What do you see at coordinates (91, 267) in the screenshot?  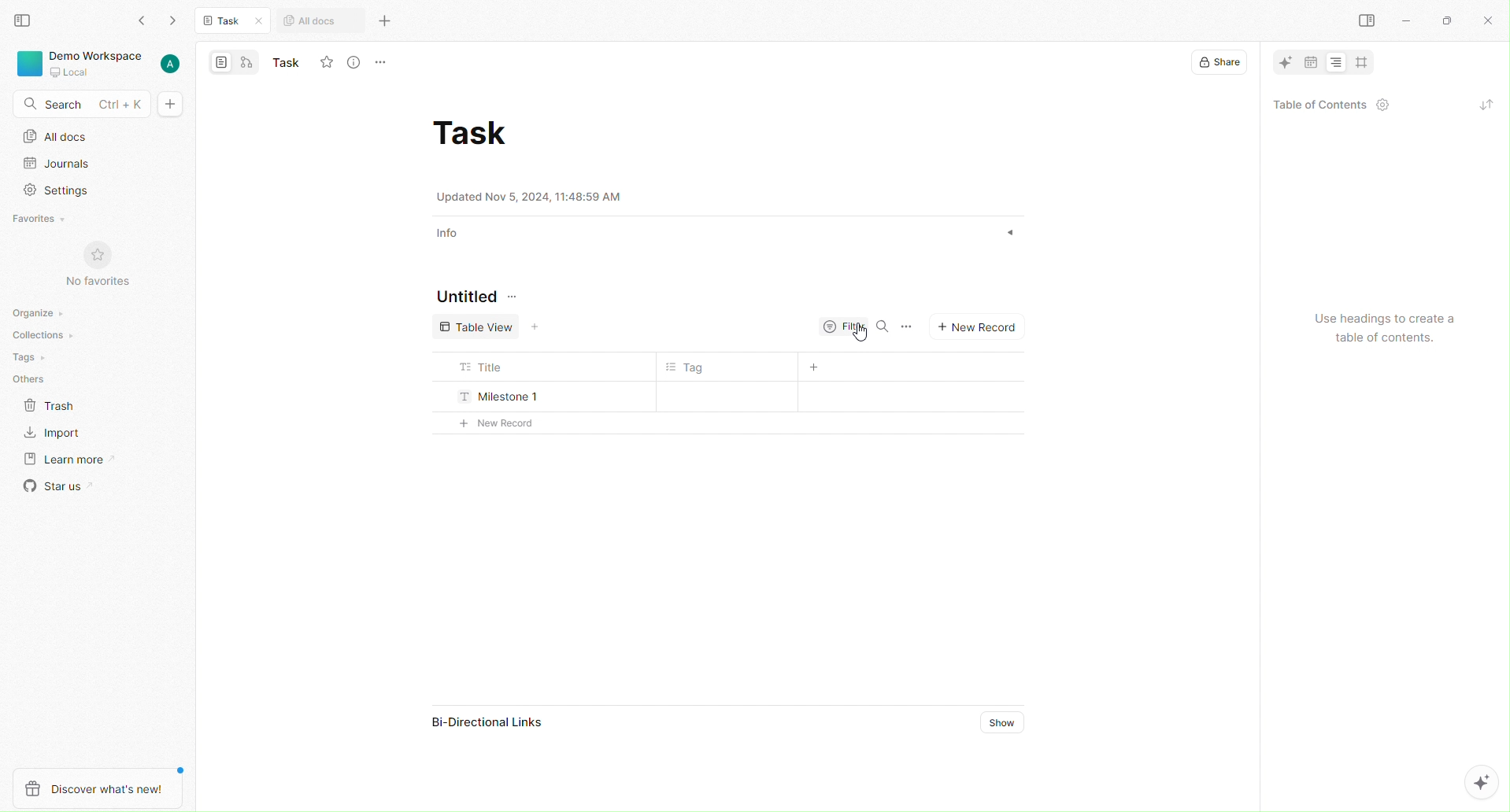 I see `No Favorites` at bounding box center [91, 267].